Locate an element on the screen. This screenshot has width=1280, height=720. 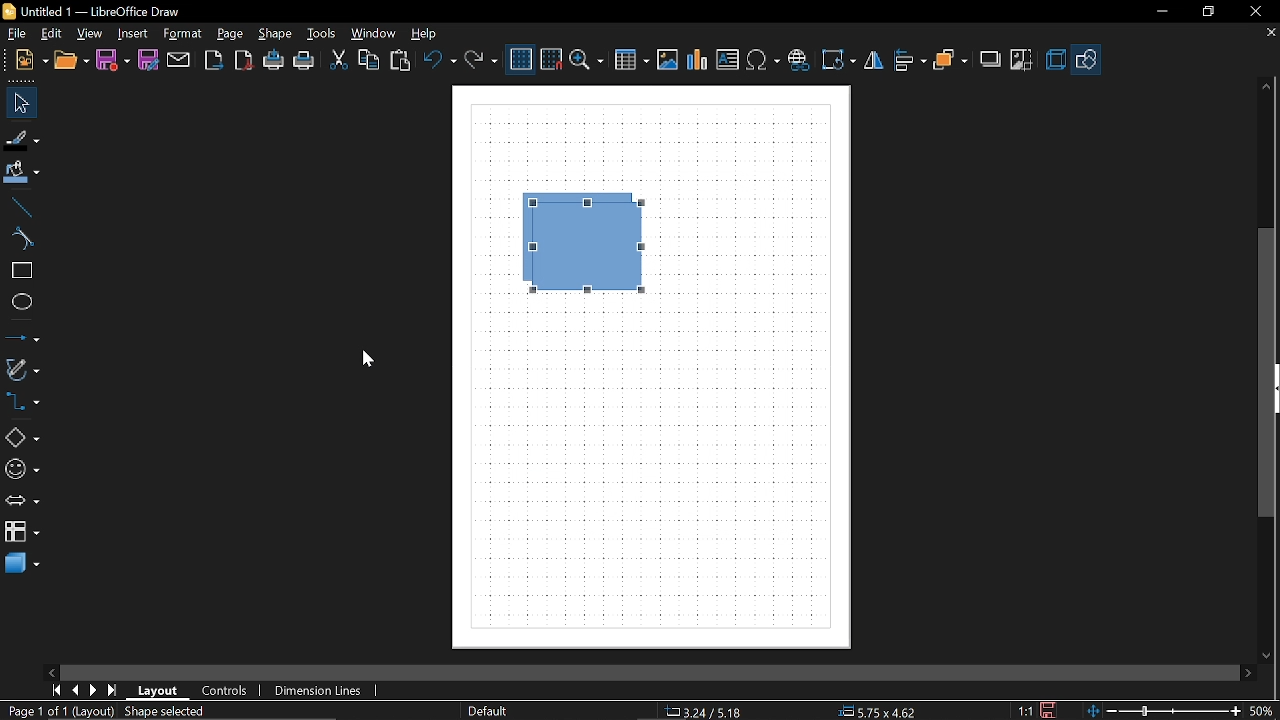
go to last page is located at coordinates (114, 691).